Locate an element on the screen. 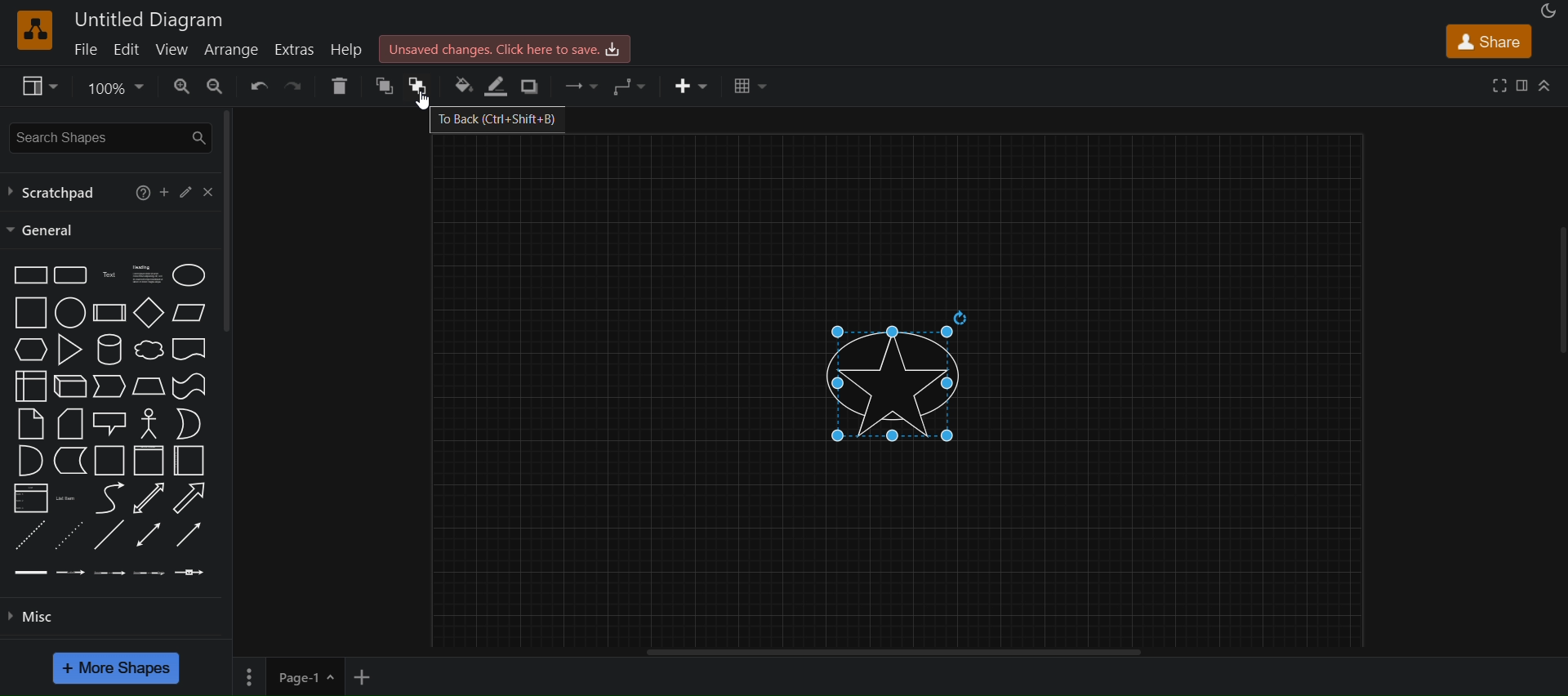 This screenshot has width=1568, height=696. cube is located at coordinates (69, 386).